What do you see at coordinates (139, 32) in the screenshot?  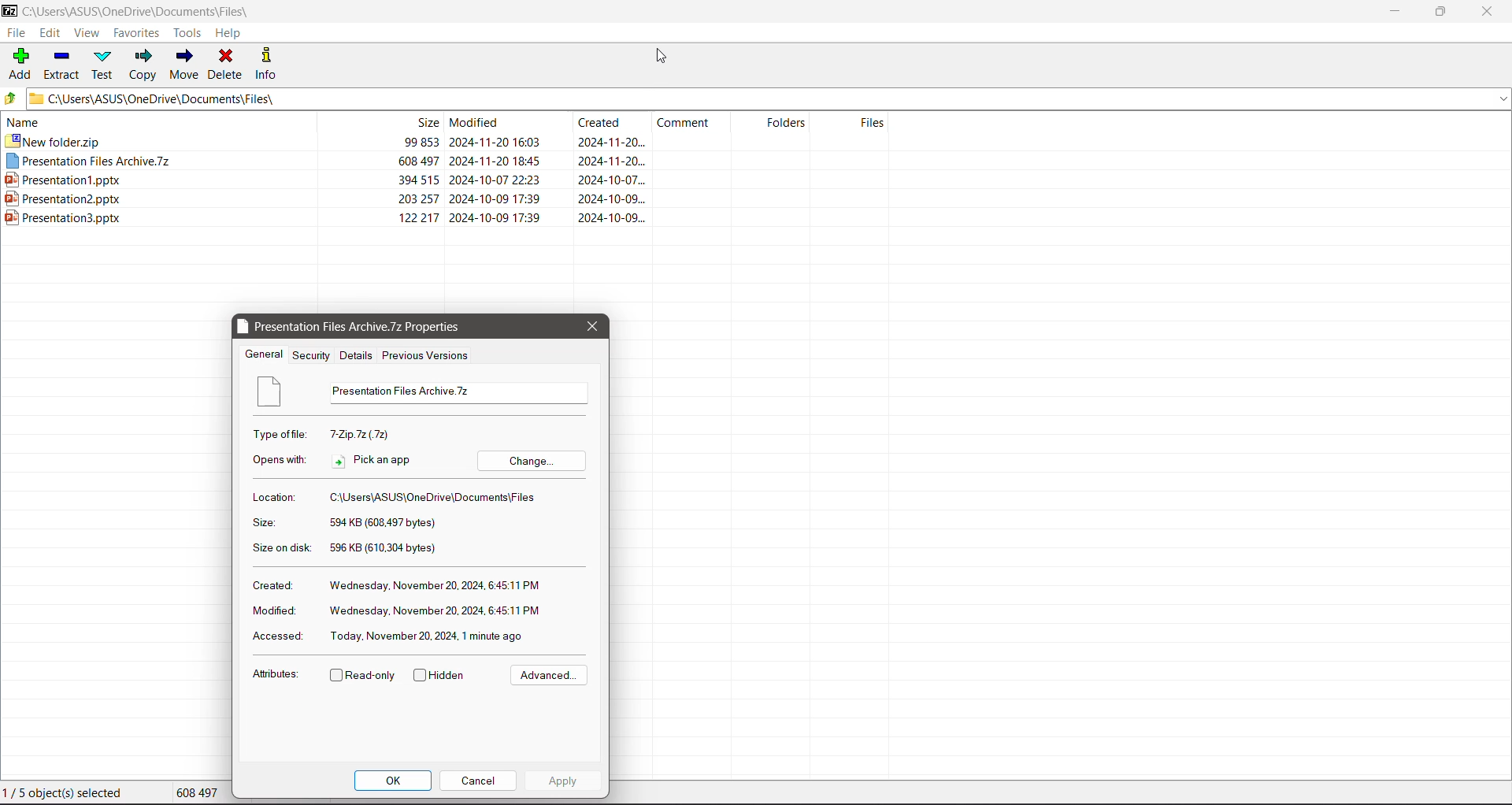 I see `Favorites` at bounding box center [139, 32].